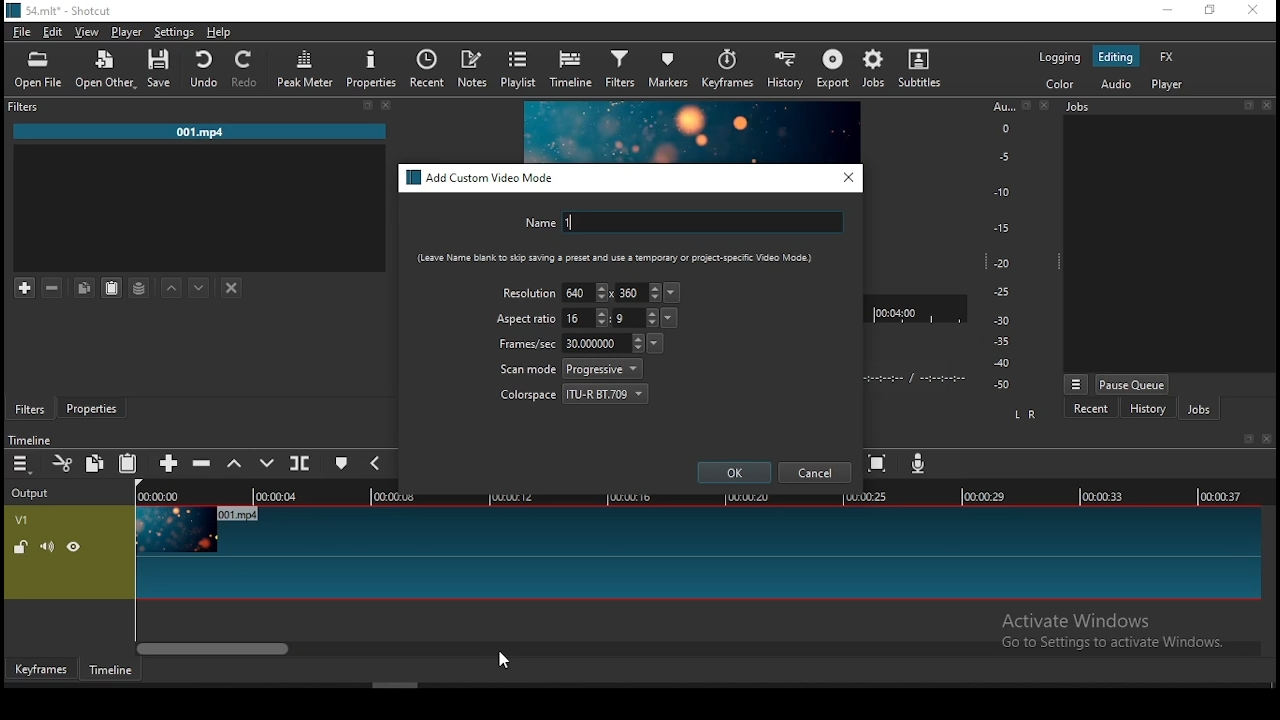 This screenshot has width=1280, height=720. What do you see at coordinates (875, 68) in the screenshot?
I see `jobs` at bounding box center [875, 68].